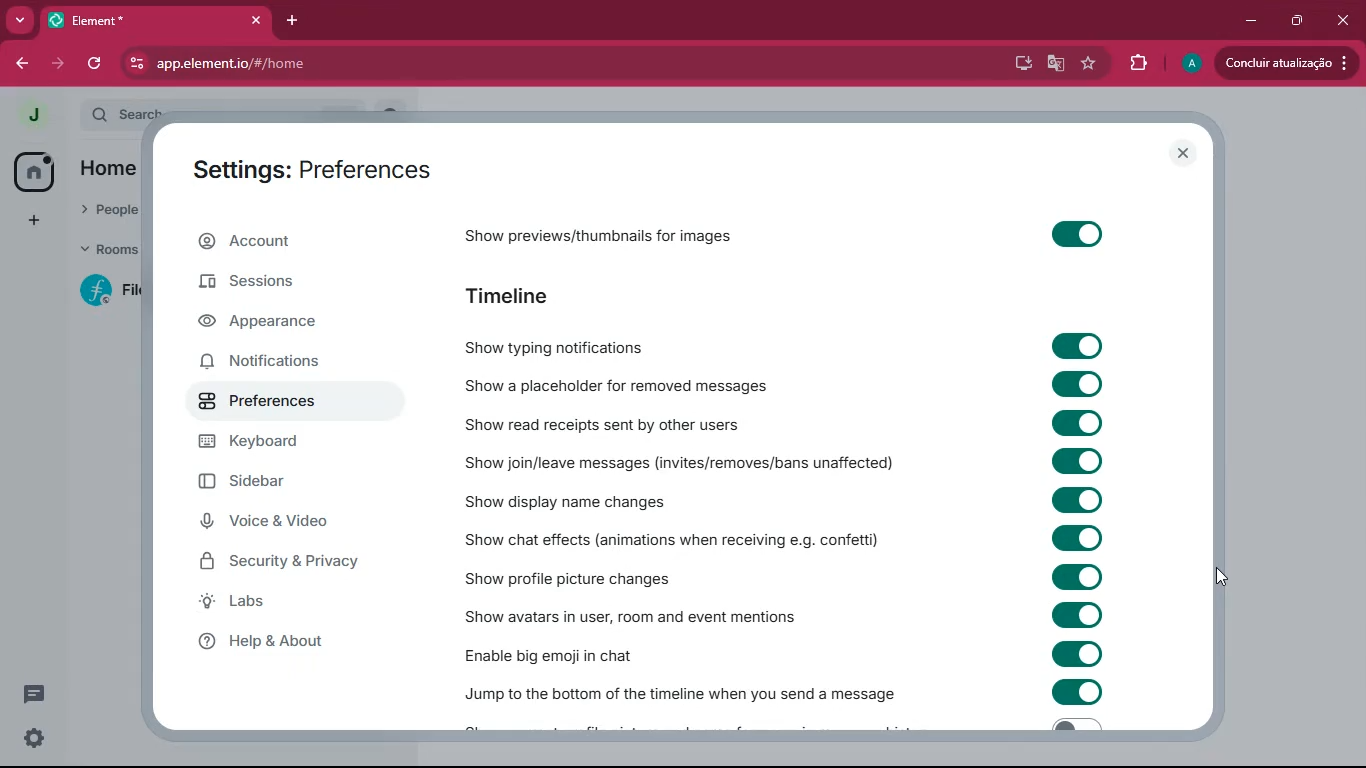 The height and width of the screenshot is (768, 1366). I want to click on google translate, so click(1054, 64).